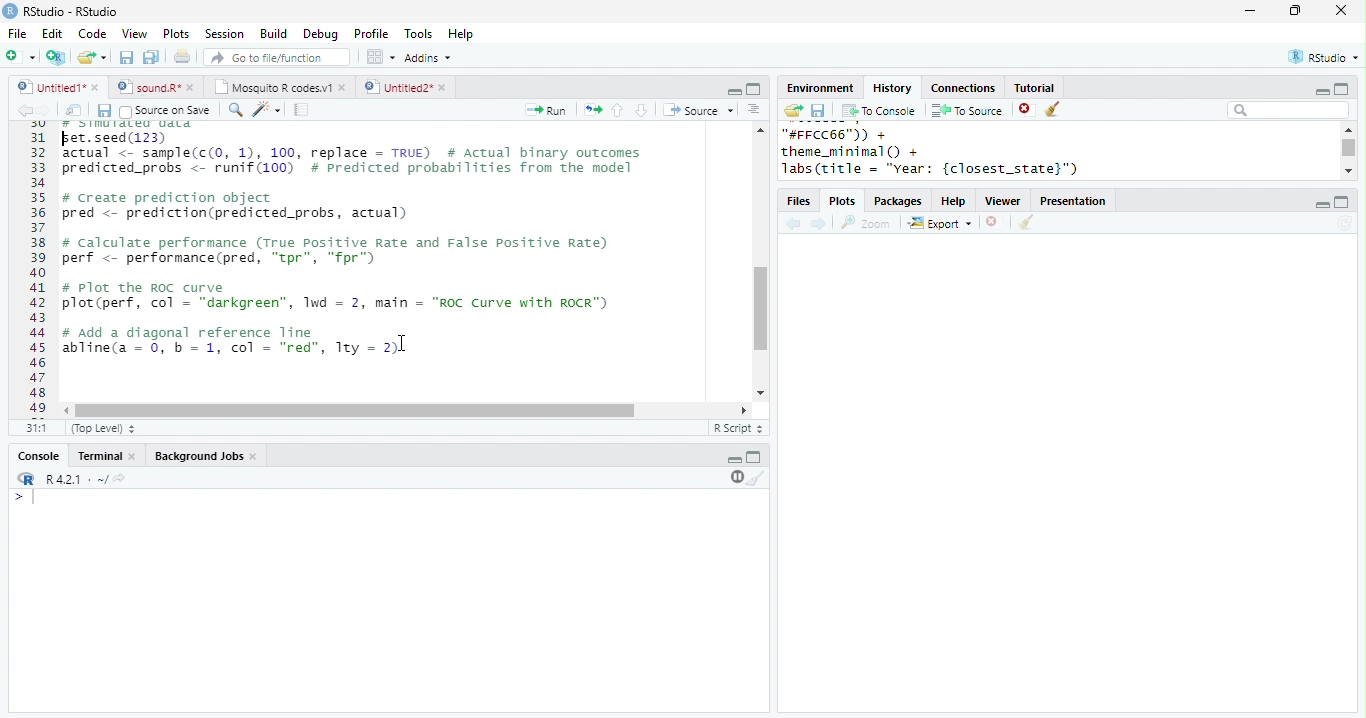  Describe the element at coordinates (754, 456) in the screenshot. I see `maximize` at that location.